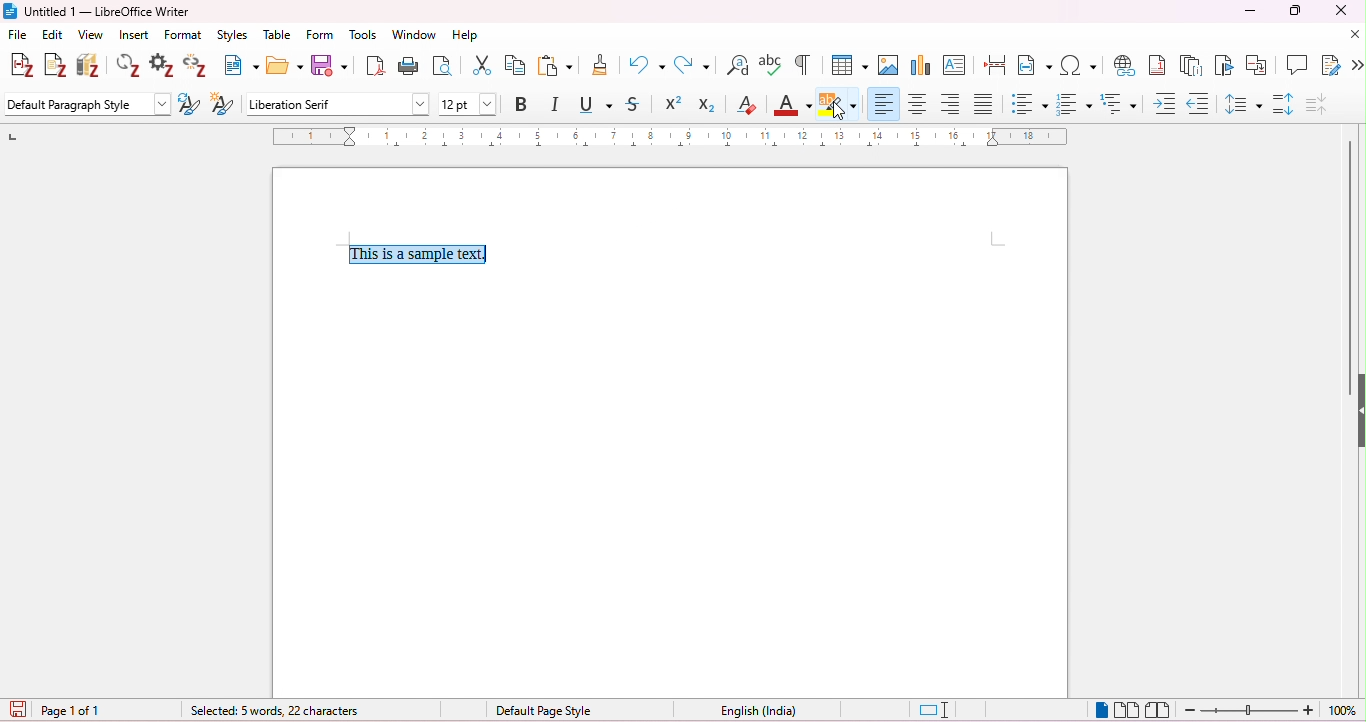 This screenshot has width=1366, height=722. What do you see at coordinates (90, 66) in the screenshot?
I see `add/ edit bibliography` at bounding box center [90, 66].